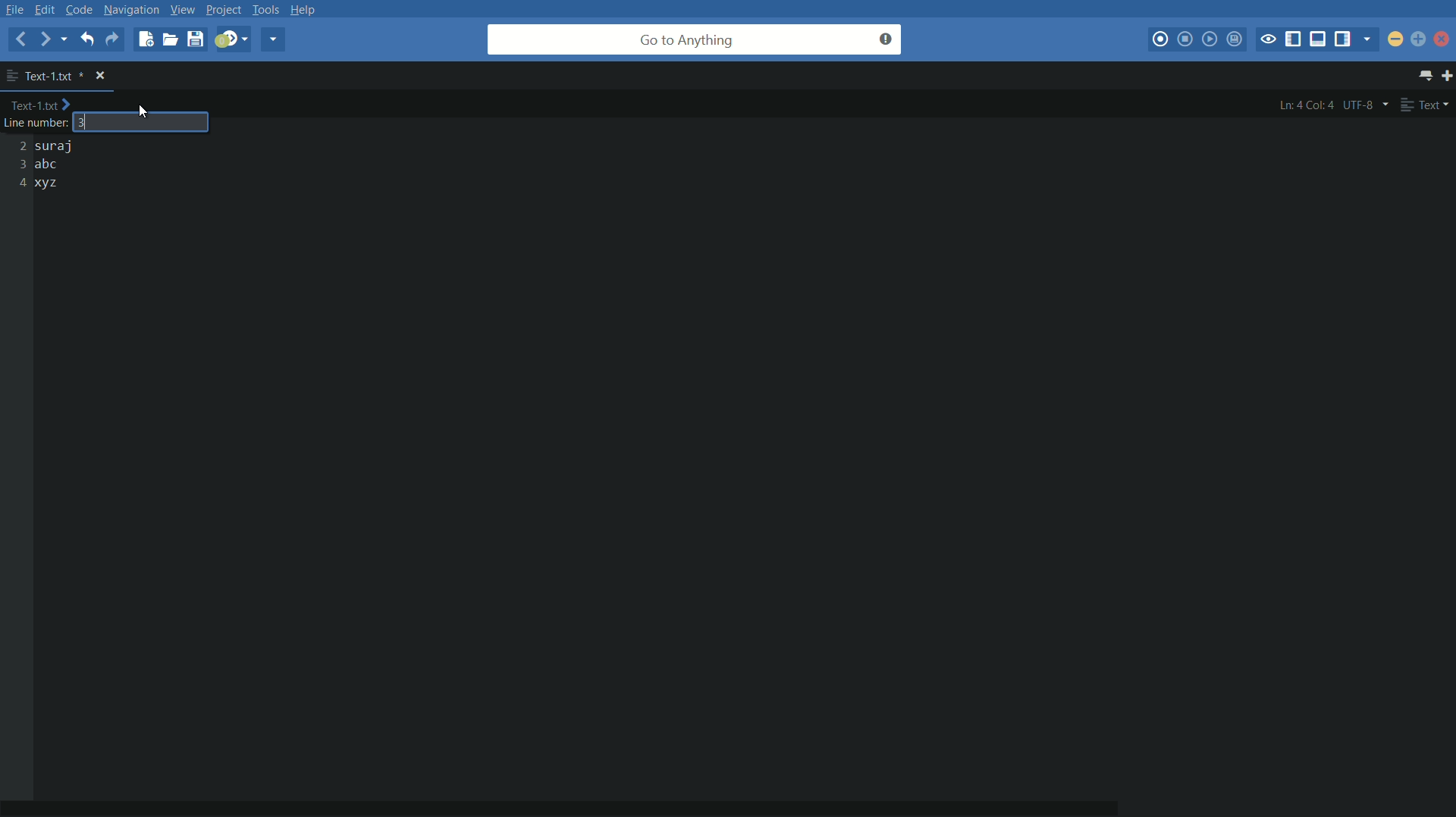 This screenshot has height=817, width=1456. Describe the element at coordinates (1293, 39) in the screenshot. I see `show/hide left panel` at that location.